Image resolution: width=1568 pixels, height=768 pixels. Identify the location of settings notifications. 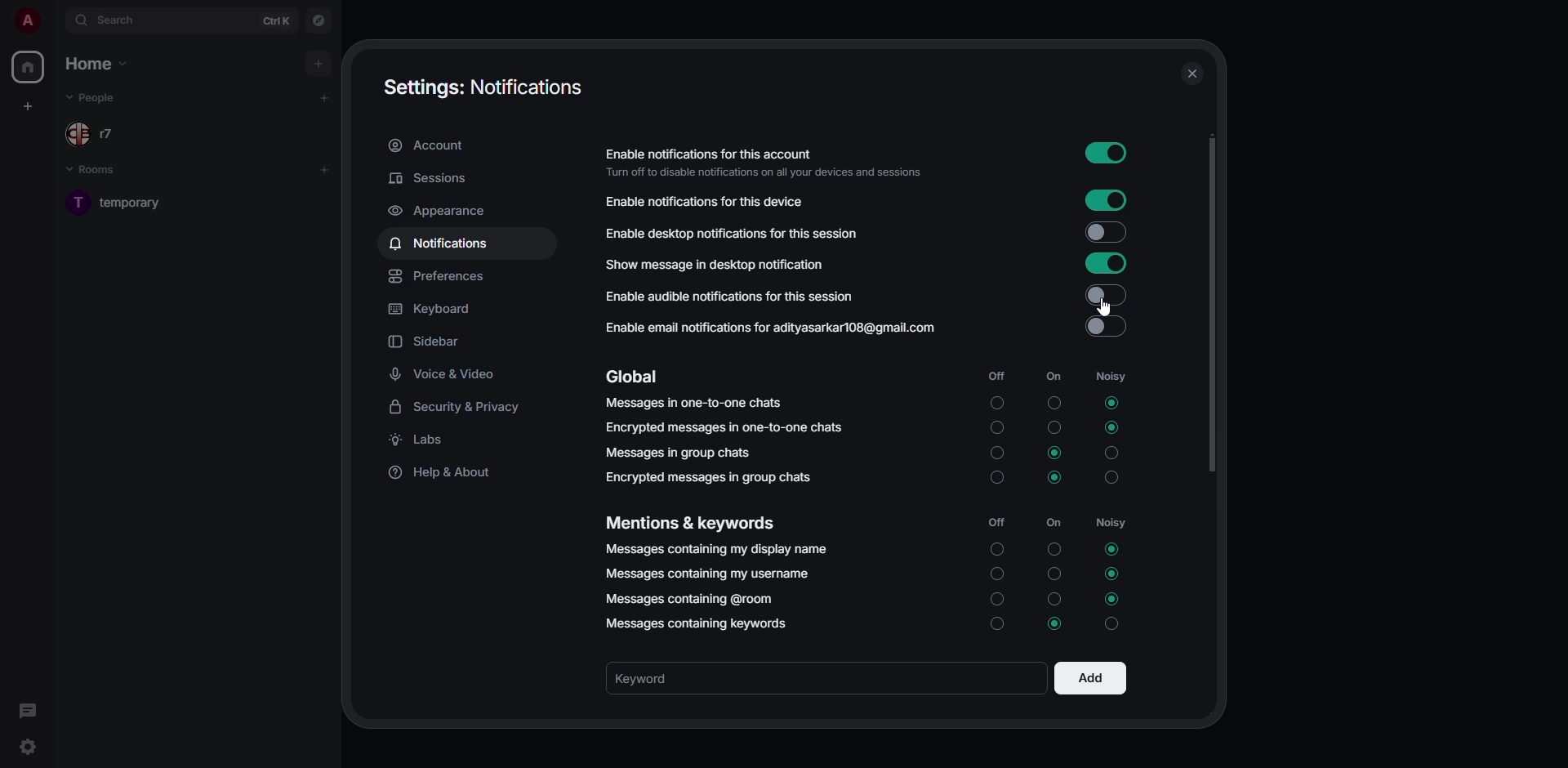
(479, 85).